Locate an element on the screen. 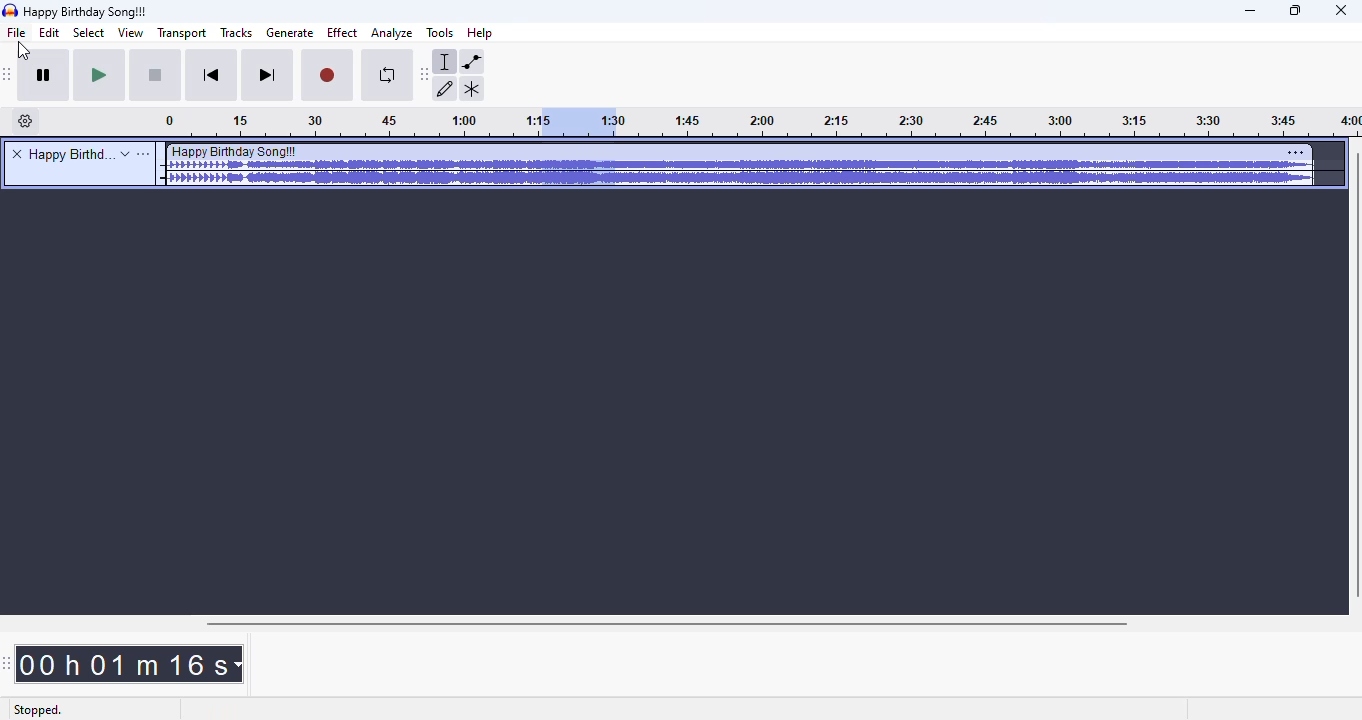 The height and width of the screenshot is (720, 1362). envelope tool is located at coordinates (472, 62).